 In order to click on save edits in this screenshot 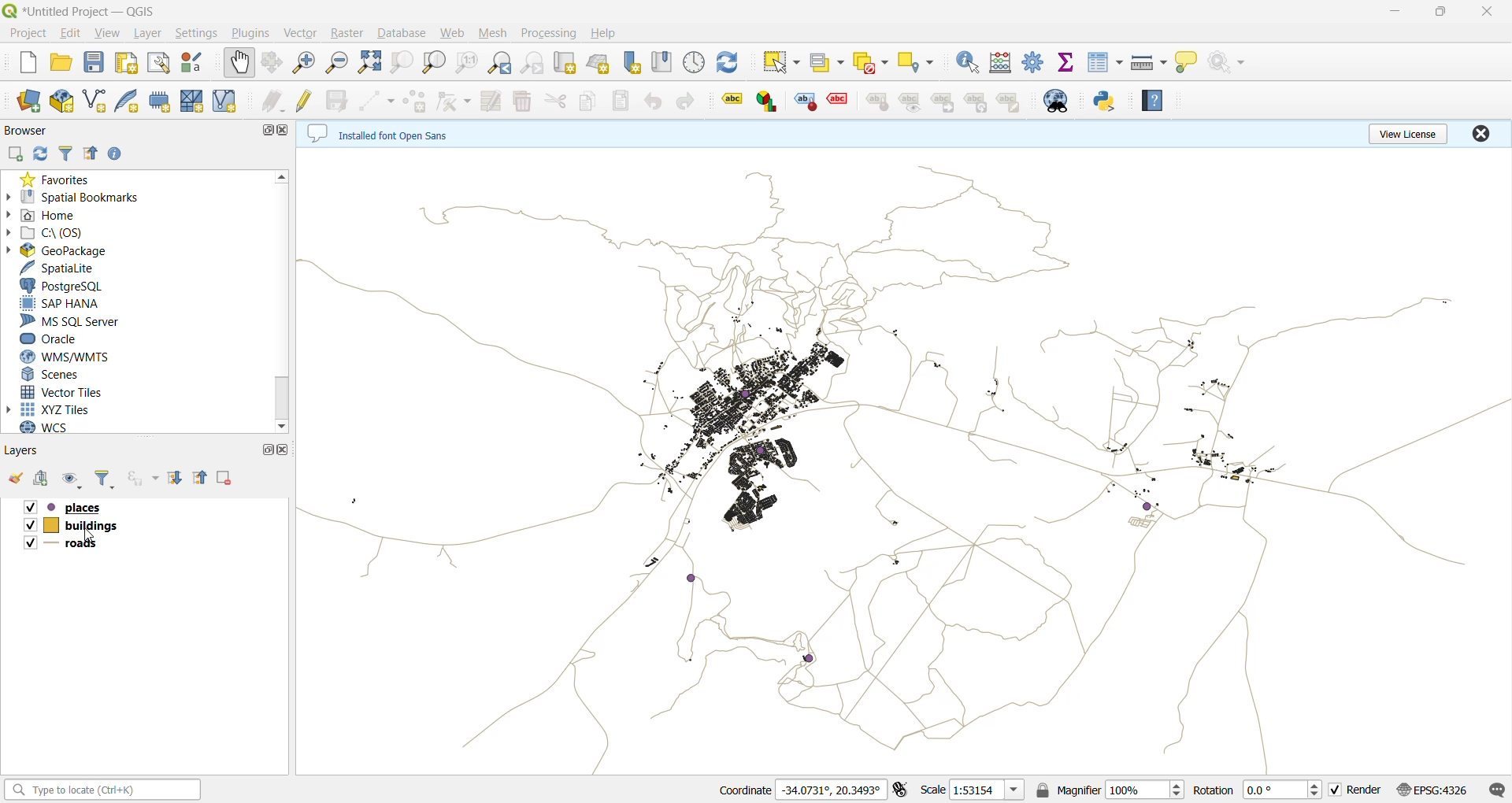, I will do `click(341, 99)`.